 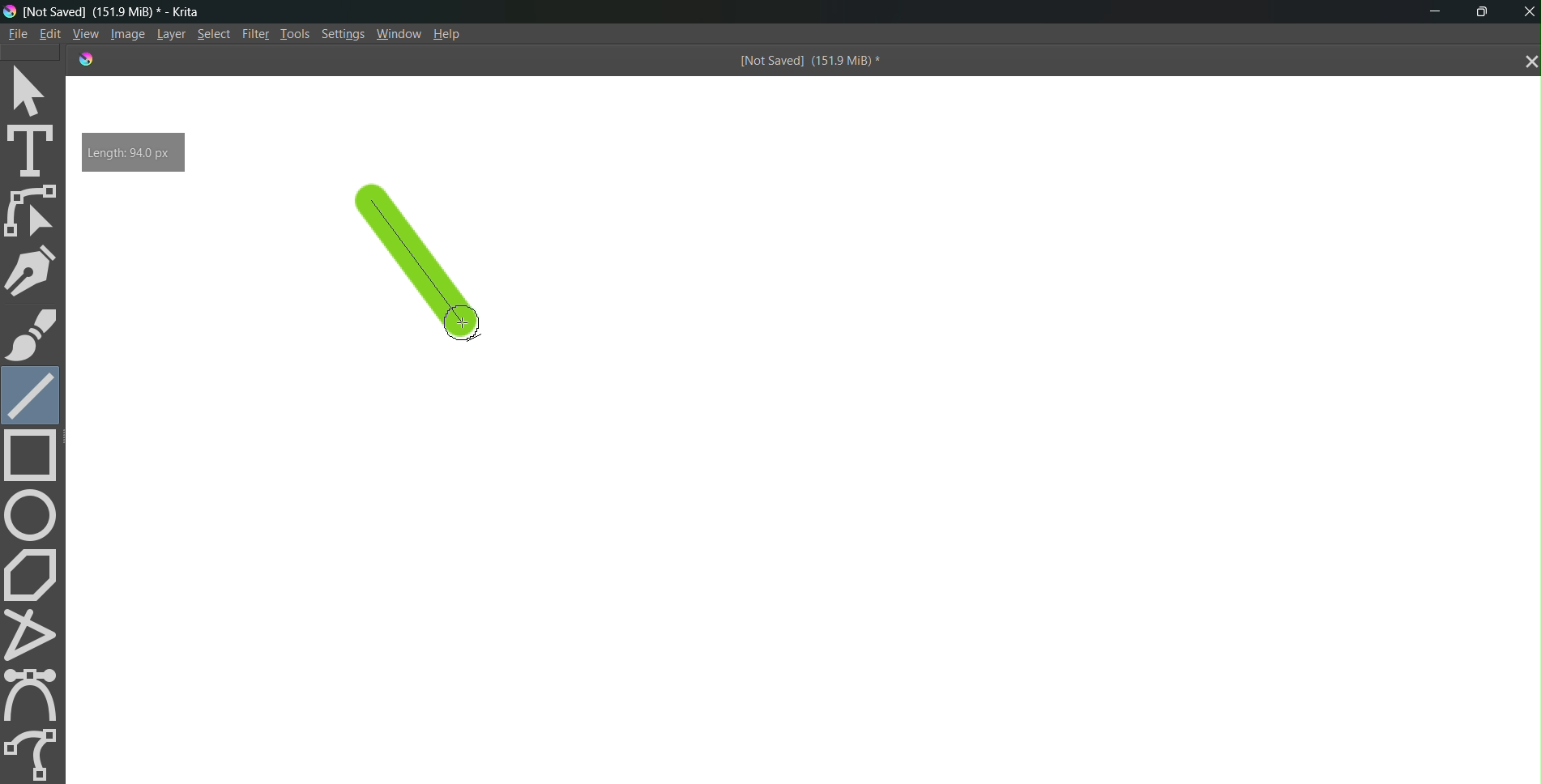 What do you see at coordinates (35, 211) in the screenshot?
I see `edit shape` at bounding box center [35, 211].